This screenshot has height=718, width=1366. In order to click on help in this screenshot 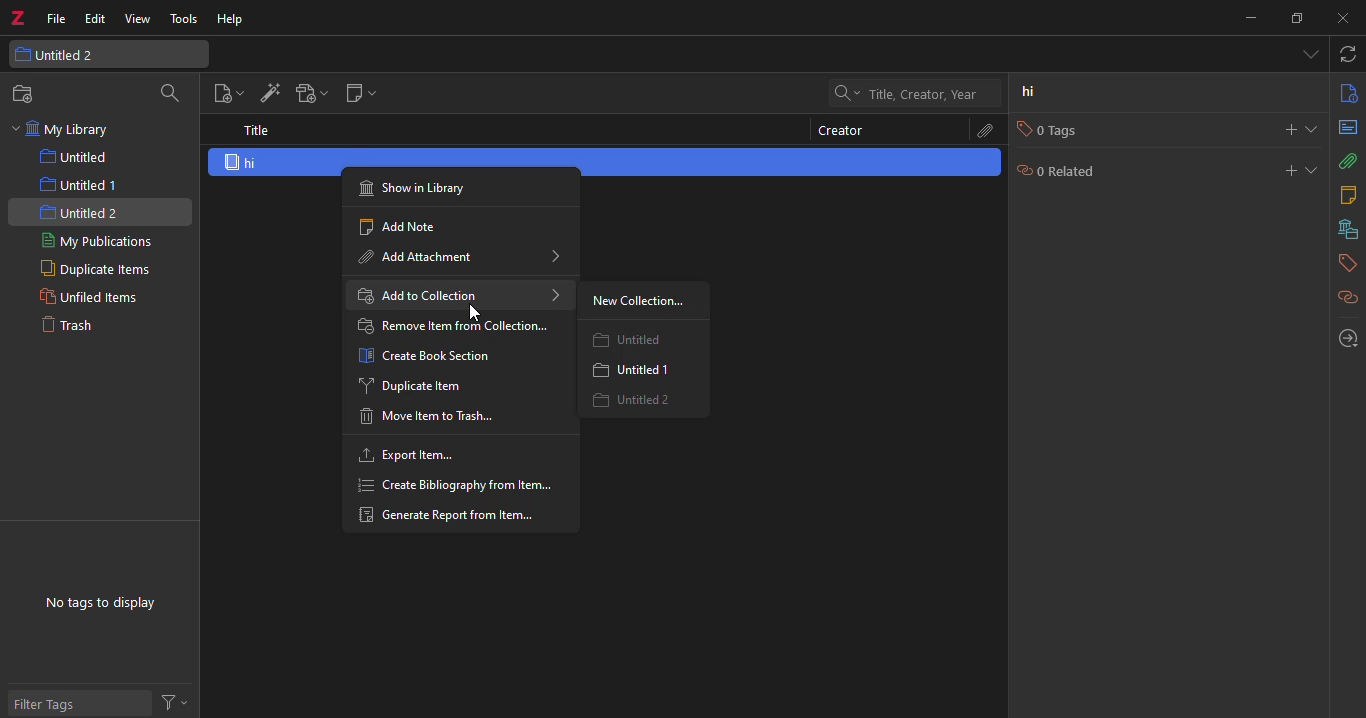, I will do `click(232, 20)`.